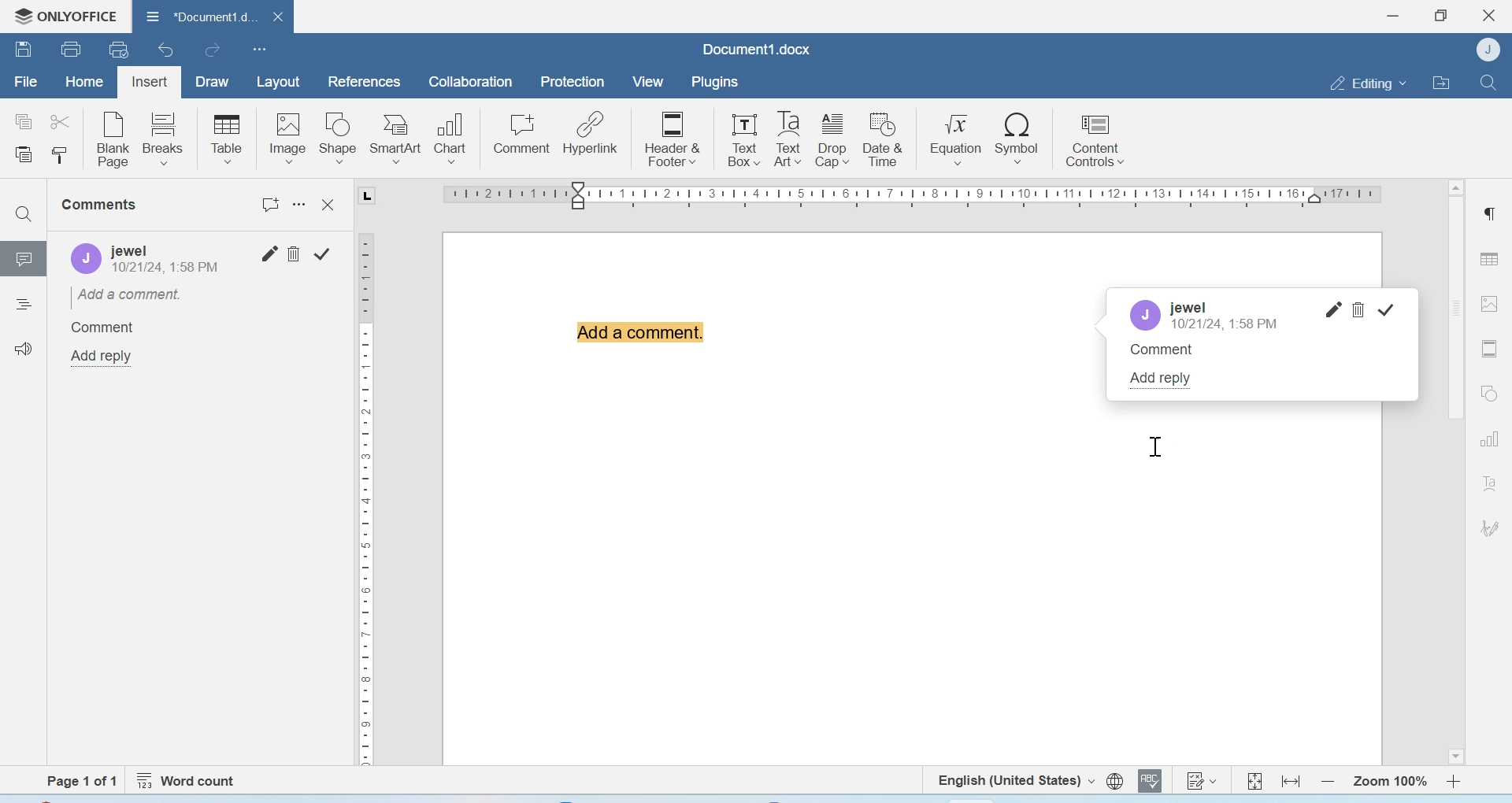 Image resolution: width=1512 pixels, height=803 pixels. I want to click on Edit, so click(1332, 309).